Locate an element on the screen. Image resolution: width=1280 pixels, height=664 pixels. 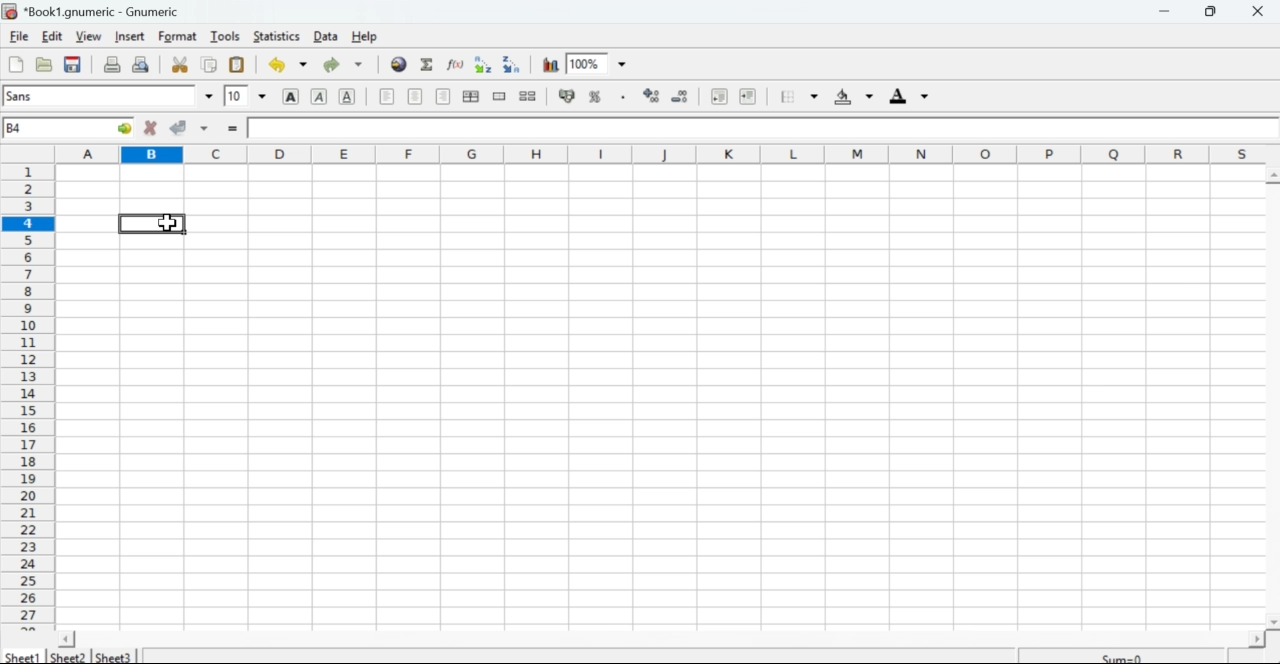
Paste is located at coordinates (238, 66).